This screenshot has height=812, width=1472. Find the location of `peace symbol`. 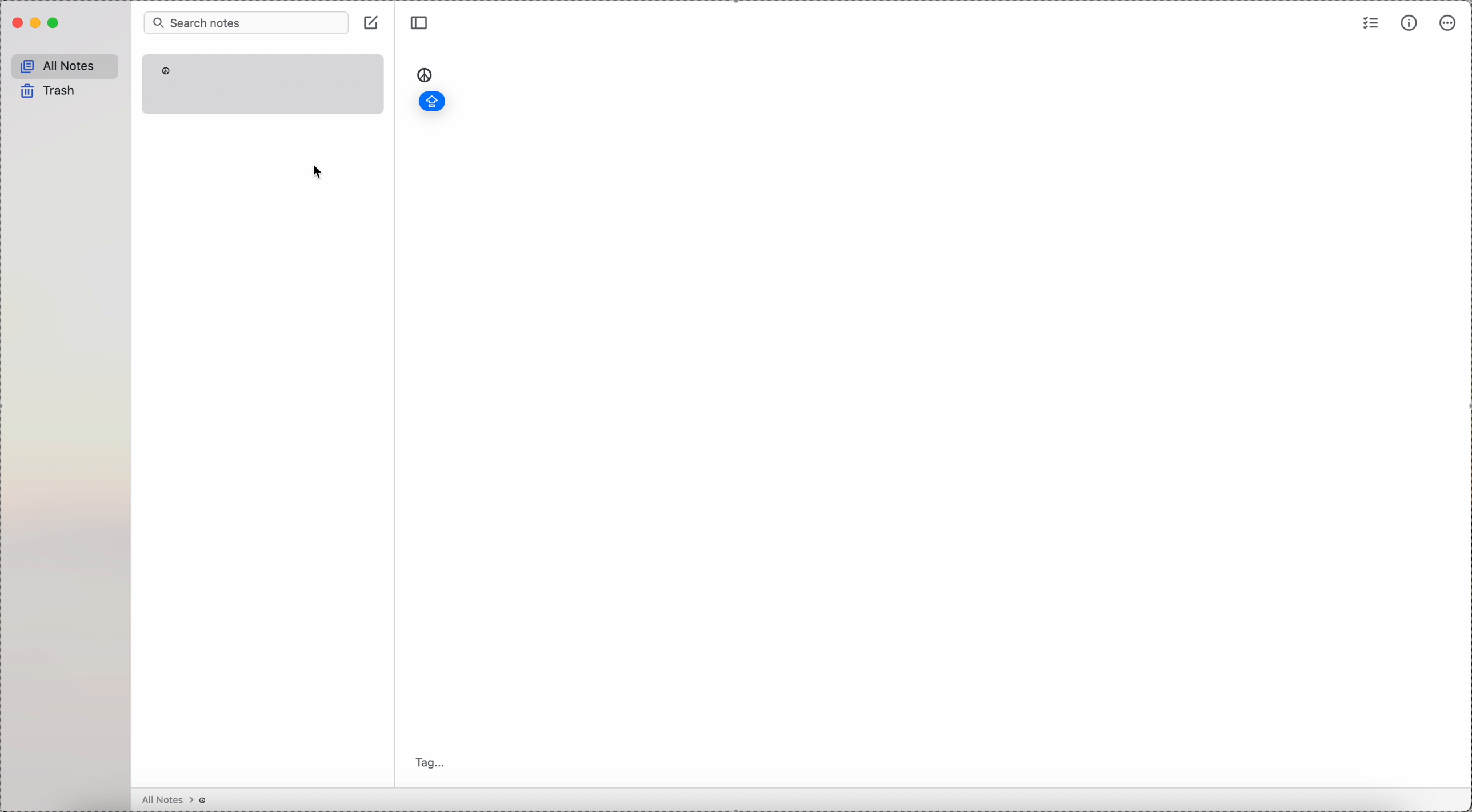

peace symbol is located at coordinates (164, 72).